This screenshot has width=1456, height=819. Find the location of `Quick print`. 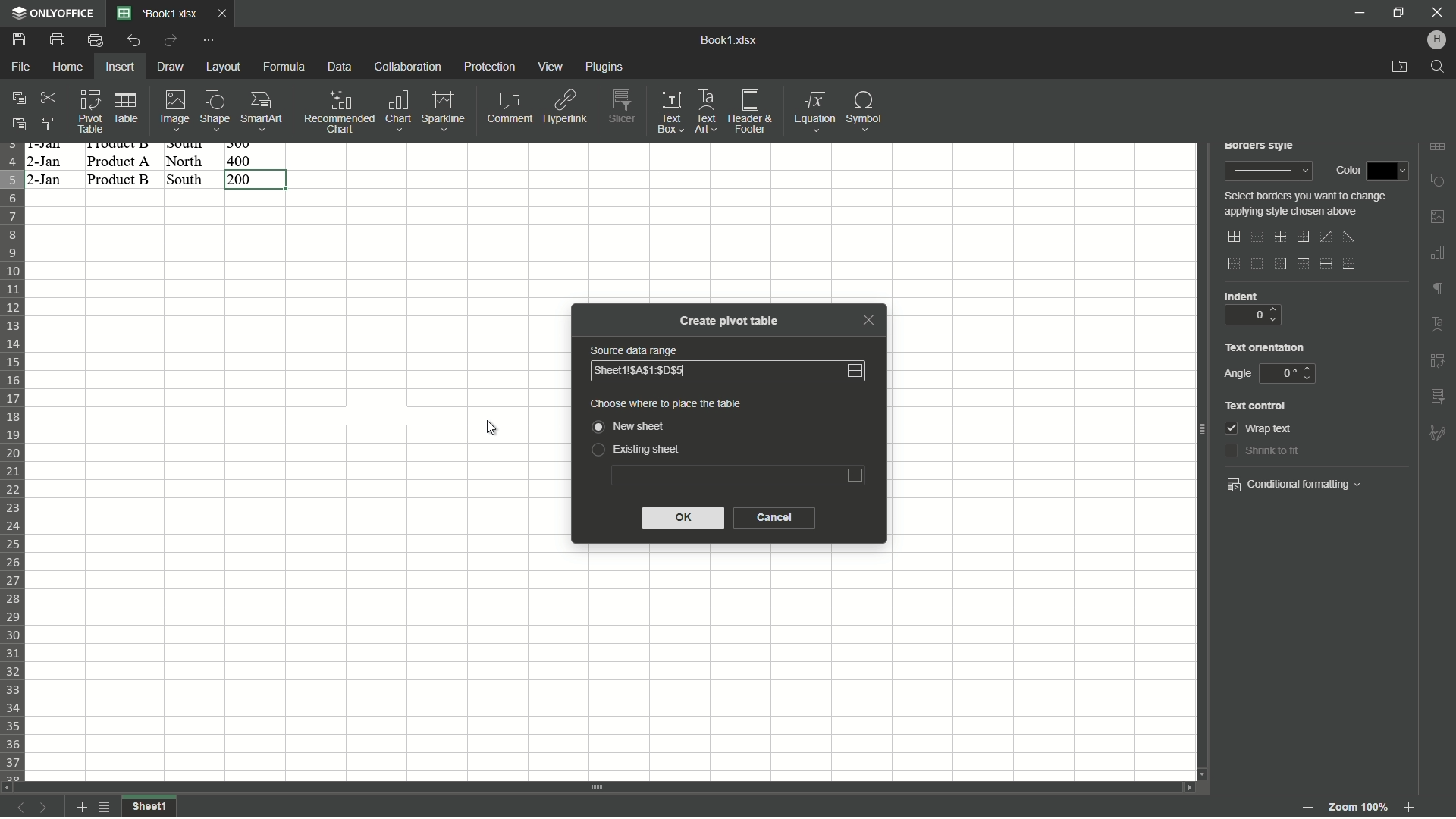

Quick print is located at coordinates (94, 42).